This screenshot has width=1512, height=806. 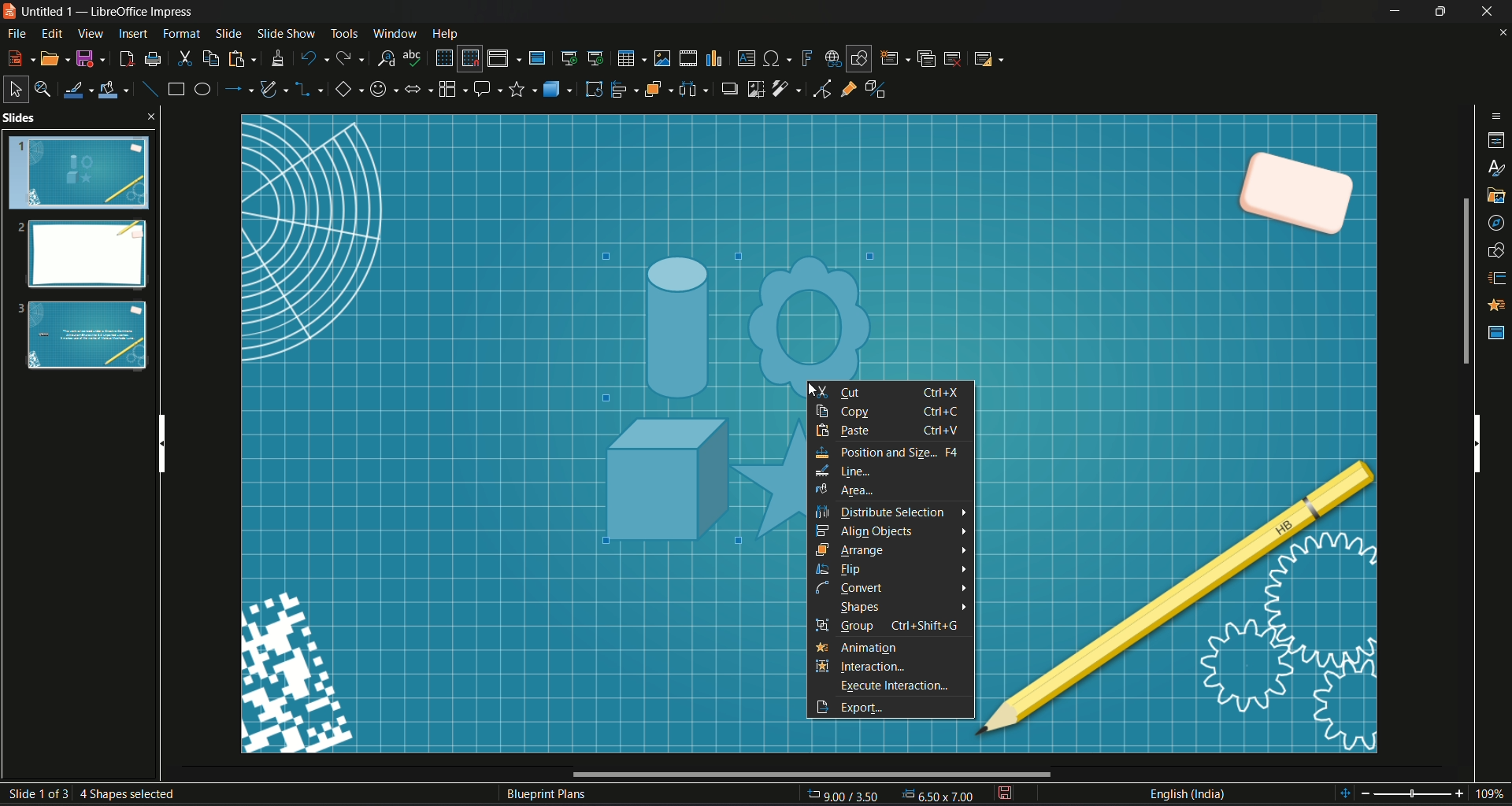 What do you see at coordinates (443, 57) in the screenshot?
I see `display grid` at bounding box center [443, 57].